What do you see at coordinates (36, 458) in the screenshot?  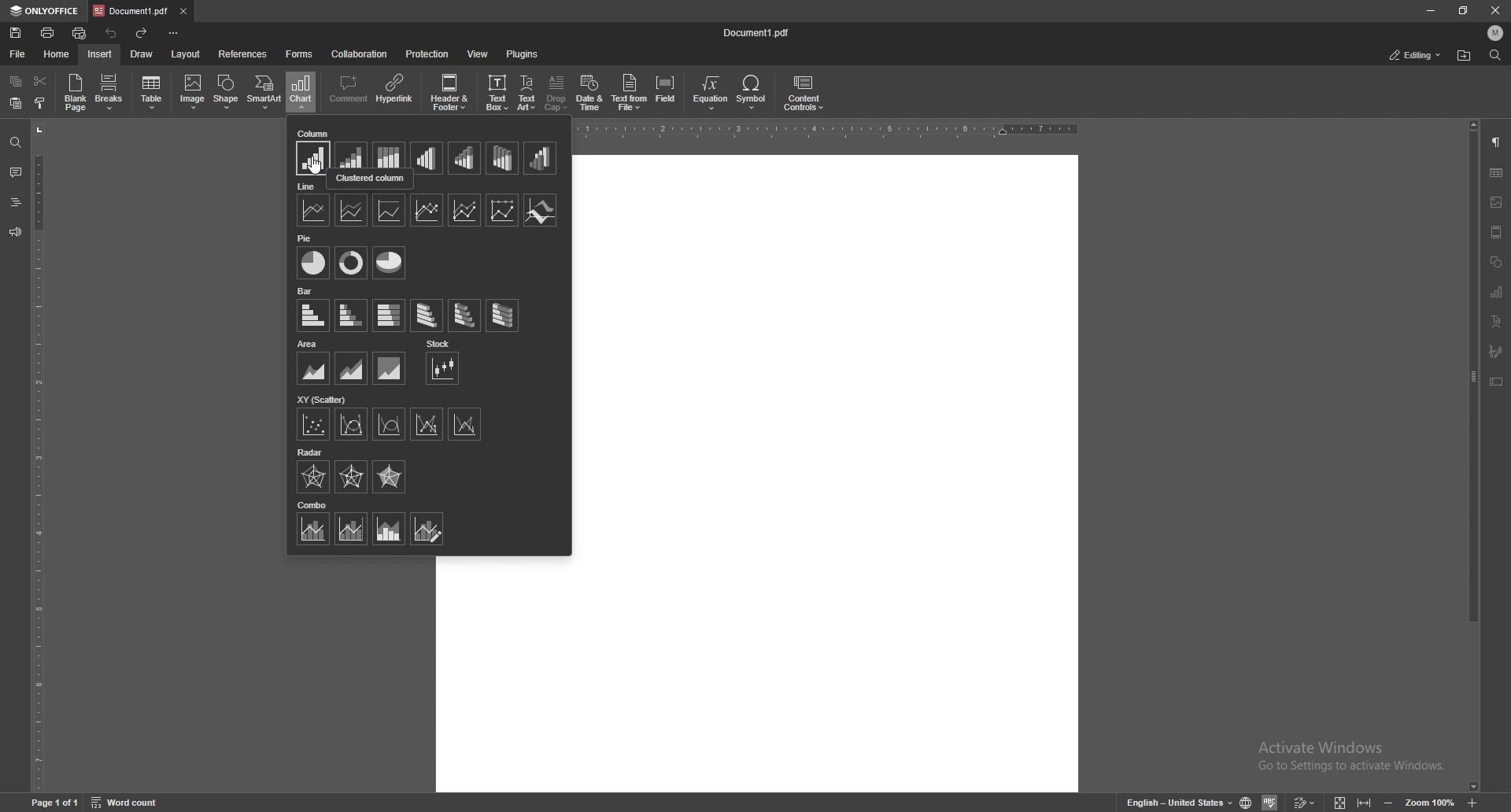 I see `vertical scale` at bounding box center [36, 458].